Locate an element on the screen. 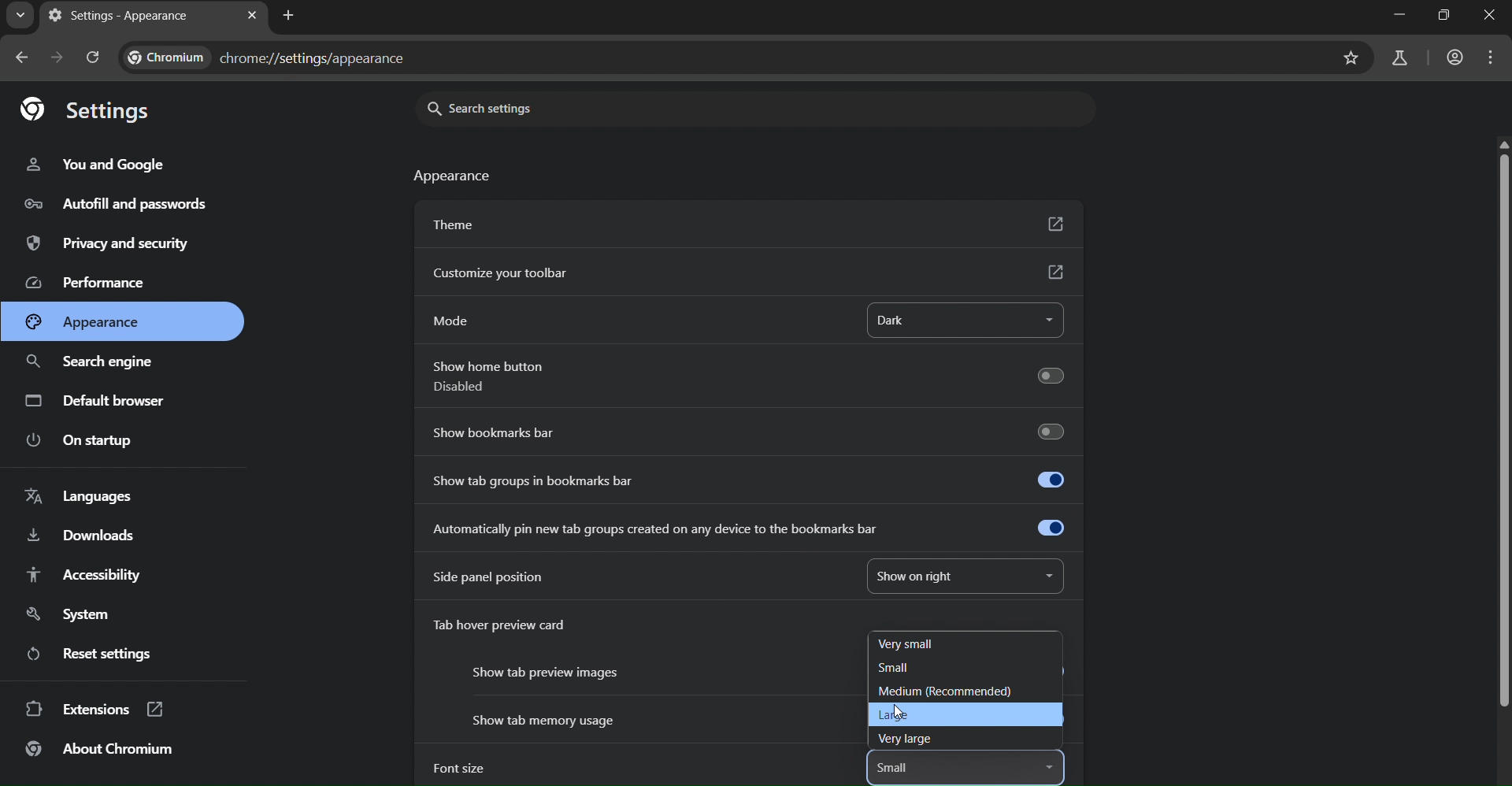 This screenshot has width=1512, height=786. settings is located at coordinates (90, 109).